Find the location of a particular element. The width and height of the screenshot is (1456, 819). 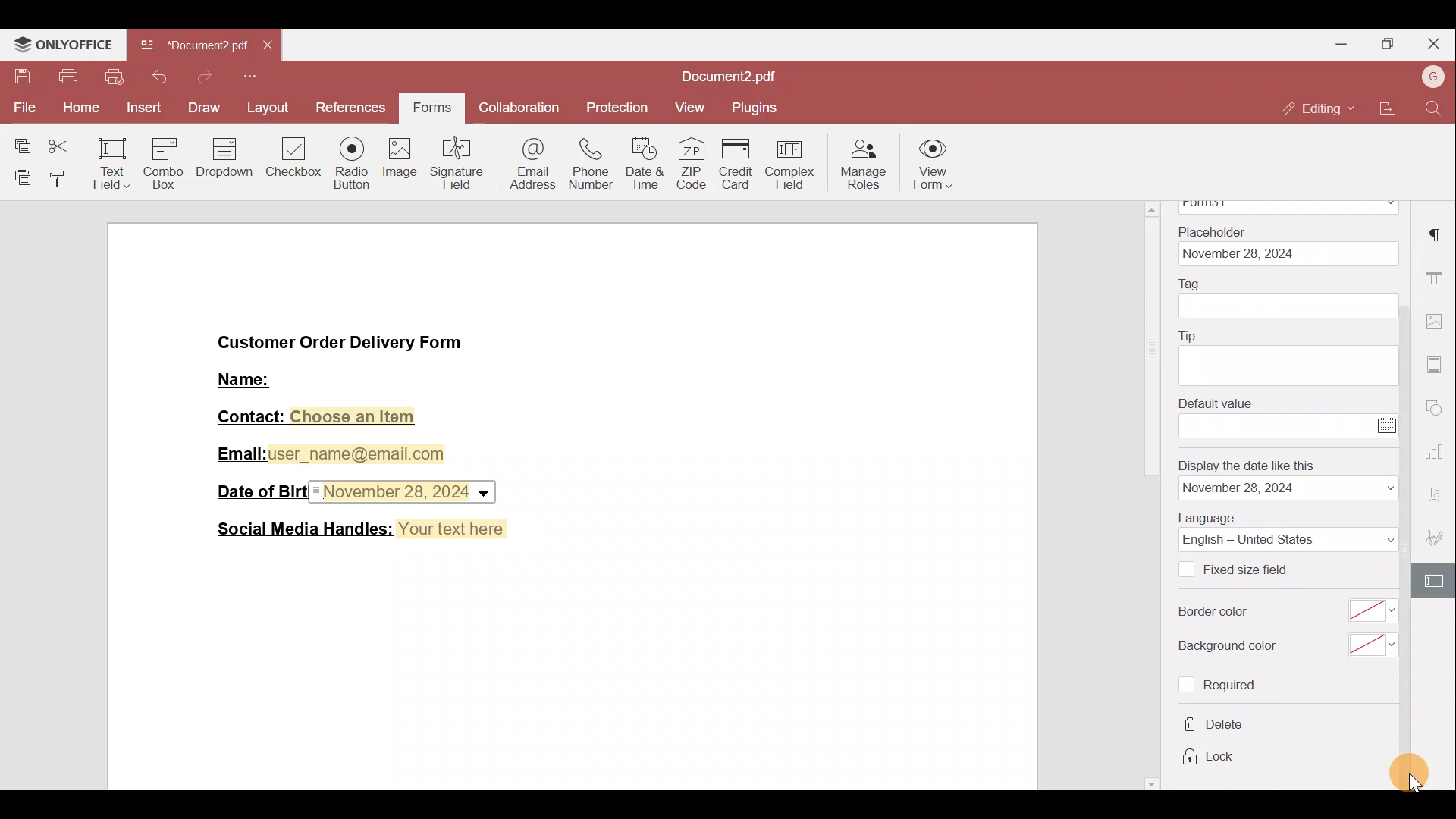

References is located at coordinates (354, 108).